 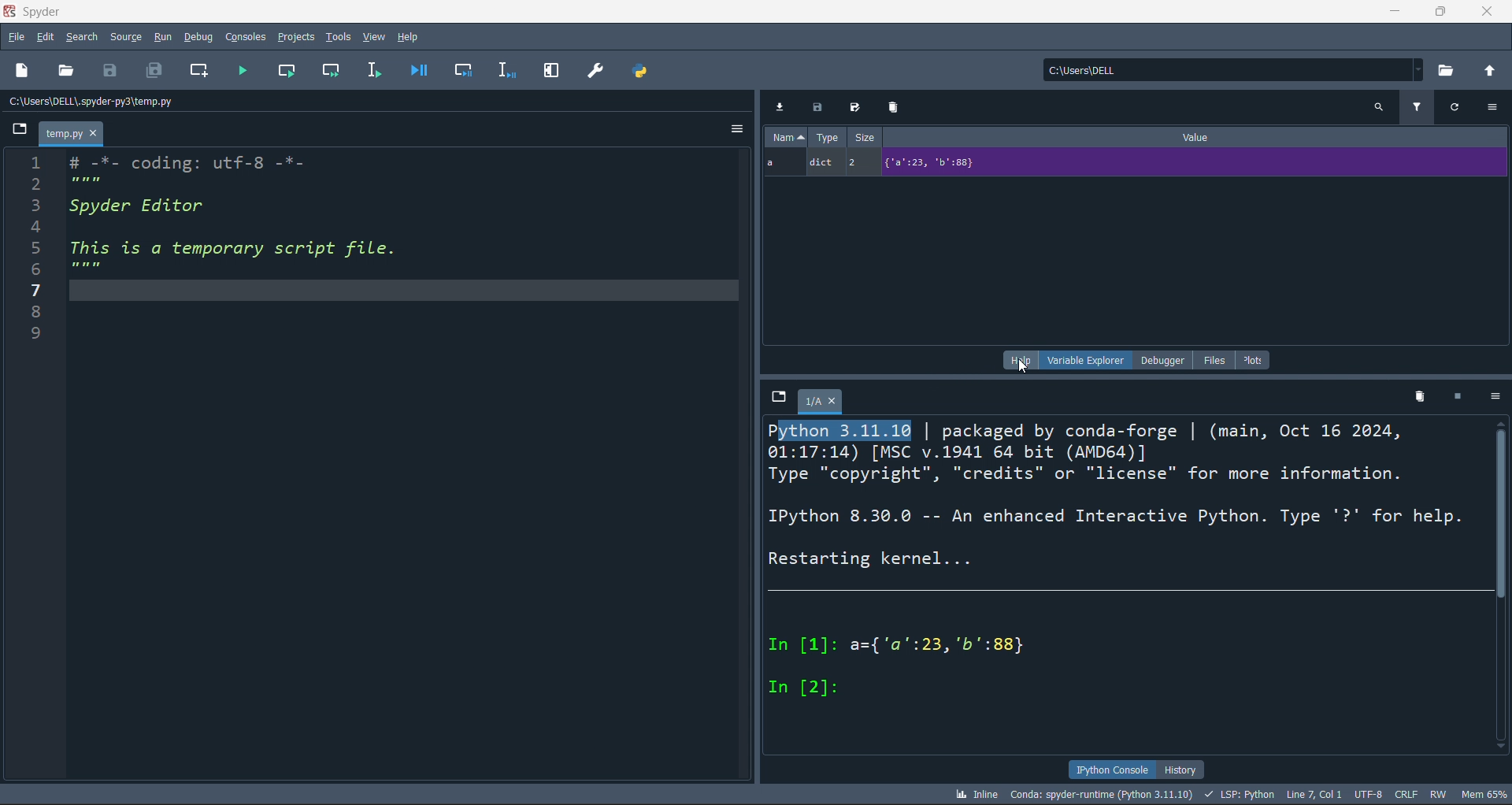 I want to click on vertical scroll bar, so click(x=1503, y=511).